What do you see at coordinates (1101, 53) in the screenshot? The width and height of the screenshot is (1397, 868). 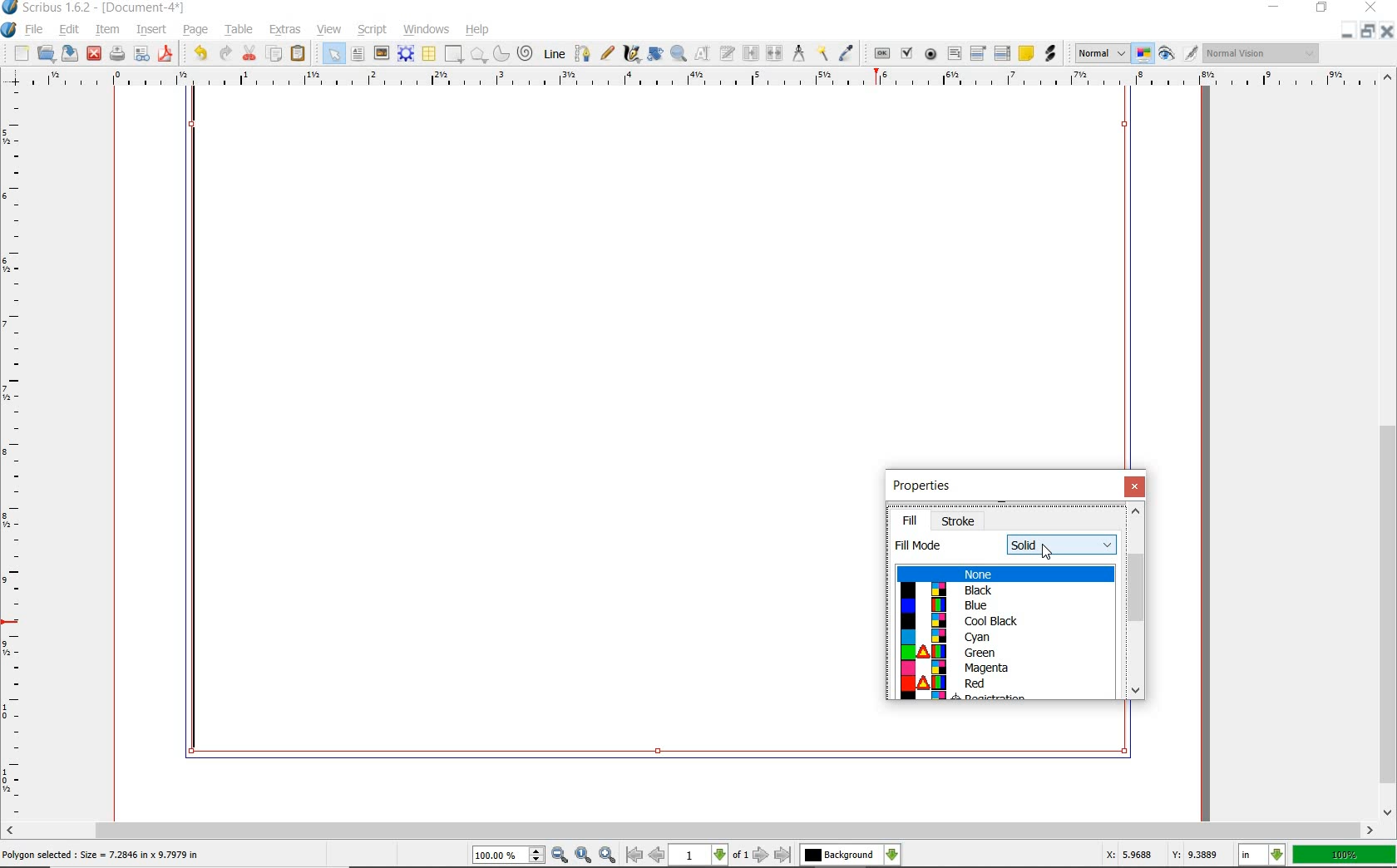 I see `Normal` at bounding box center [1101, 53].